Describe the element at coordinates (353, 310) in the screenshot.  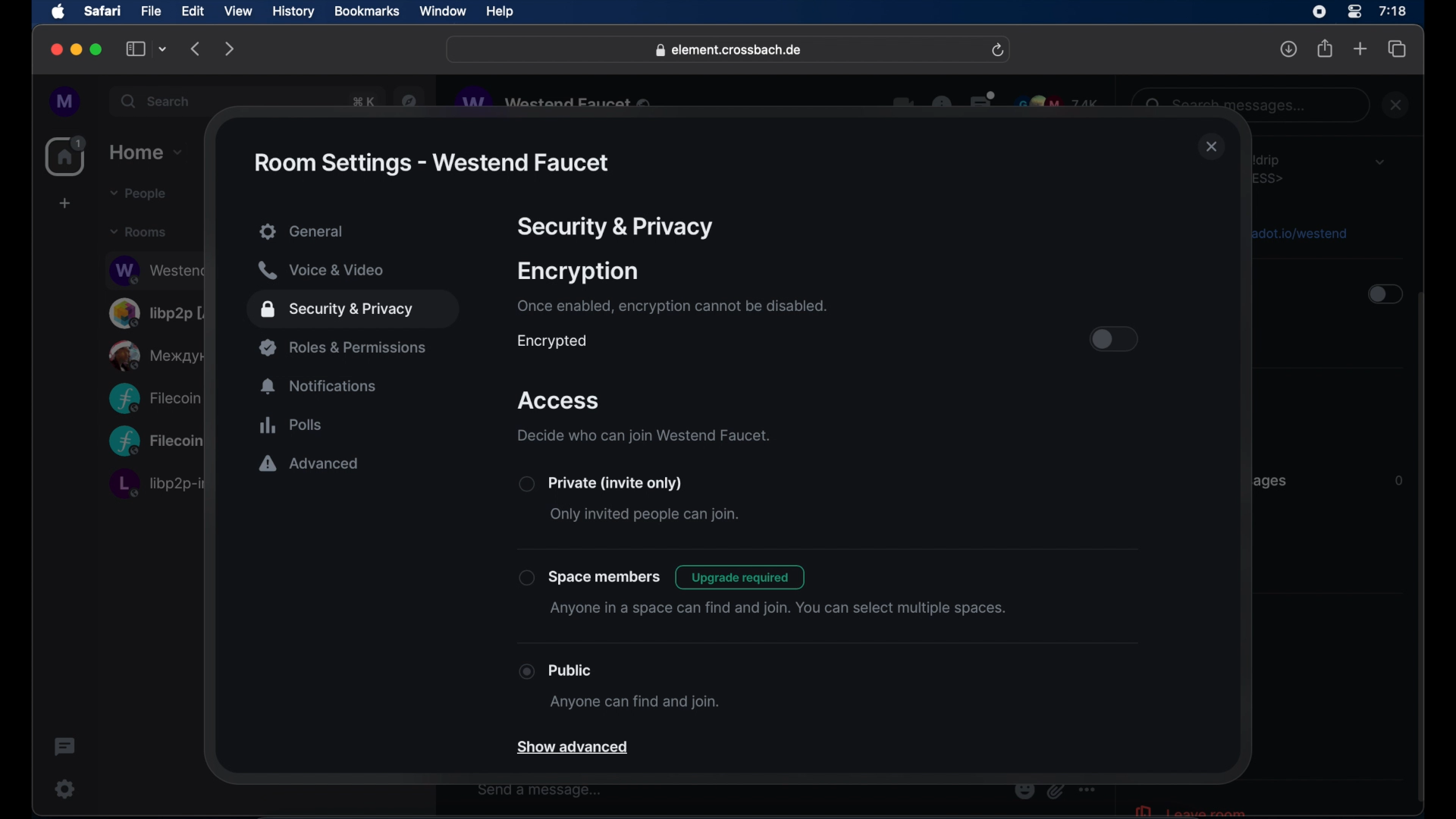
I see `security and privacy highlighted` at that location.